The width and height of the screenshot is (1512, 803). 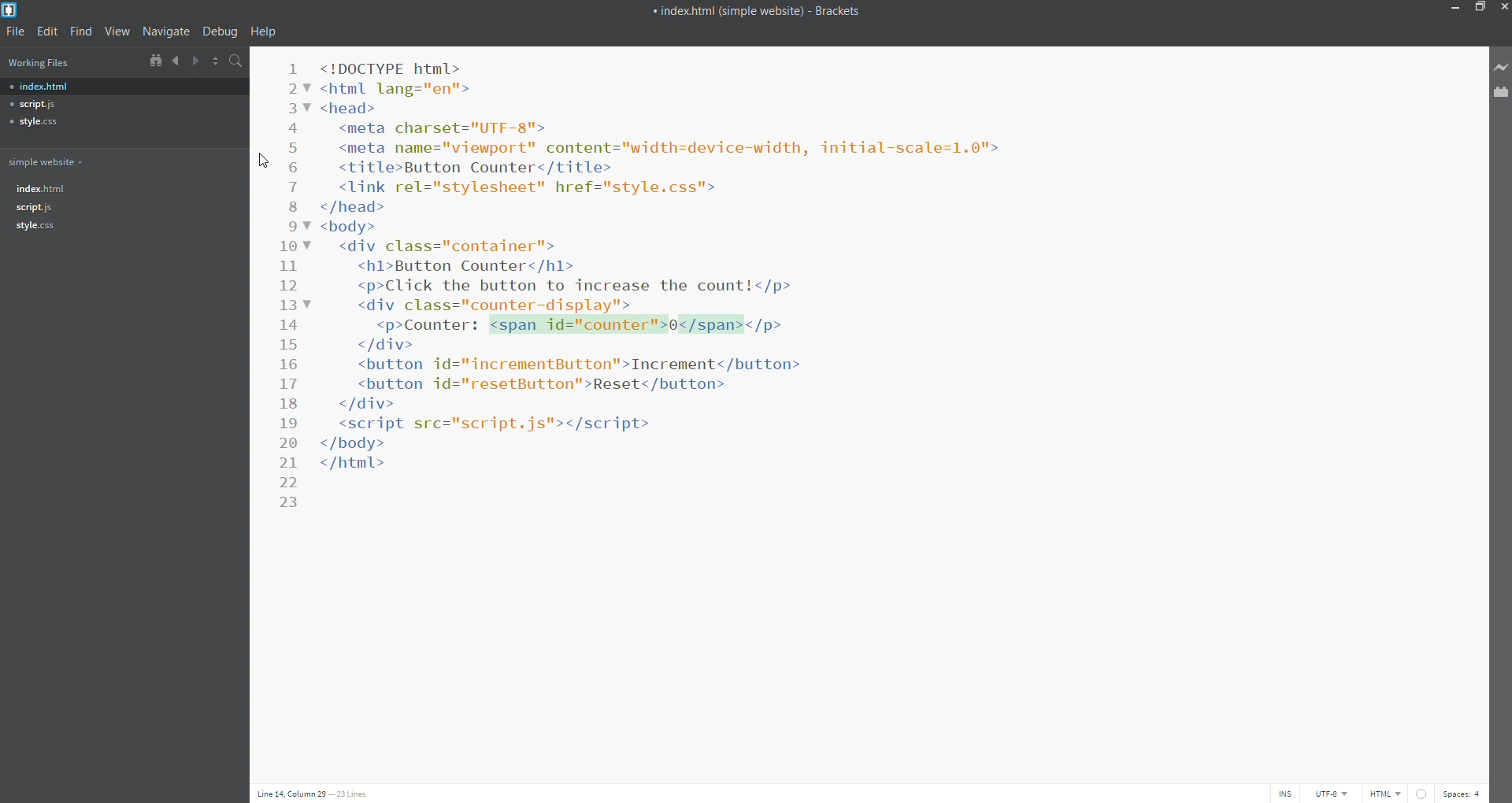 I want to click on view, so click(x=120, y=31).